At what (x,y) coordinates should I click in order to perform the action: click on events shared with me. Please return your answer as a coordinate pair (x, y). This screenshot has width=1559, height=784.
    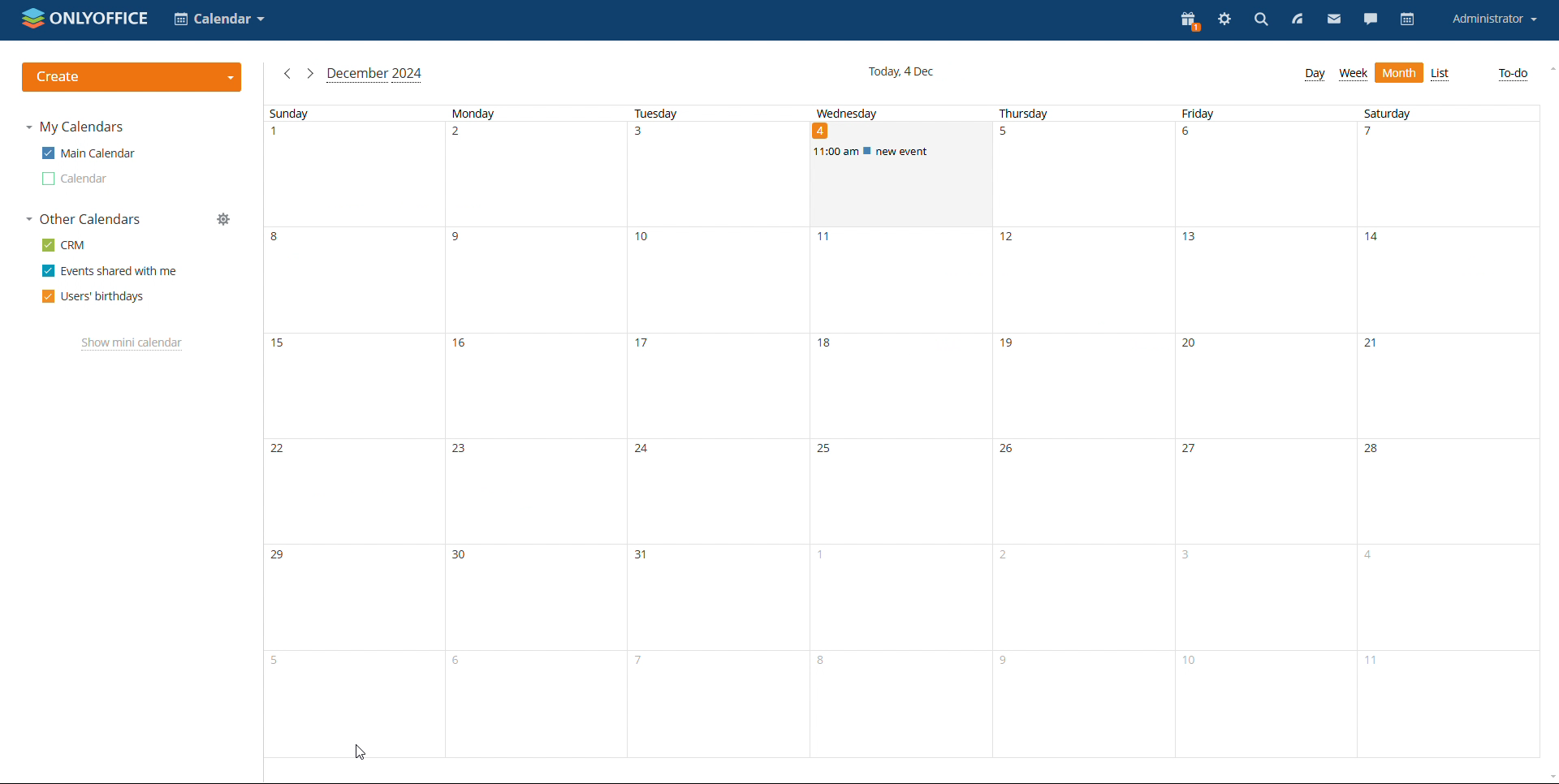
    Looking at the image, I should click on (110, 271).